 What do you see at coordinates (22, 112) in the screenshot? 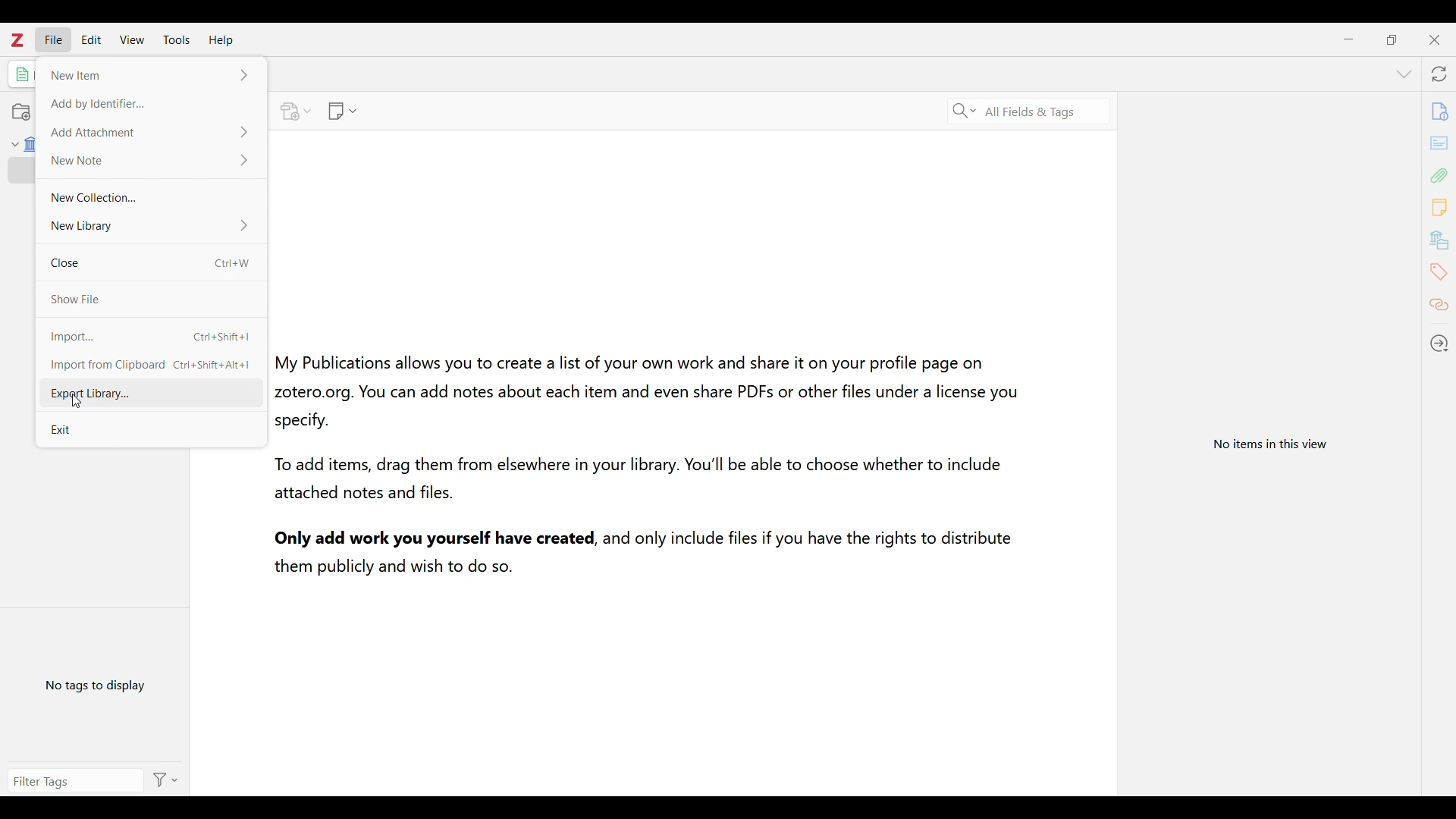
I see `Add new collection` at bounding box center [22, 112].